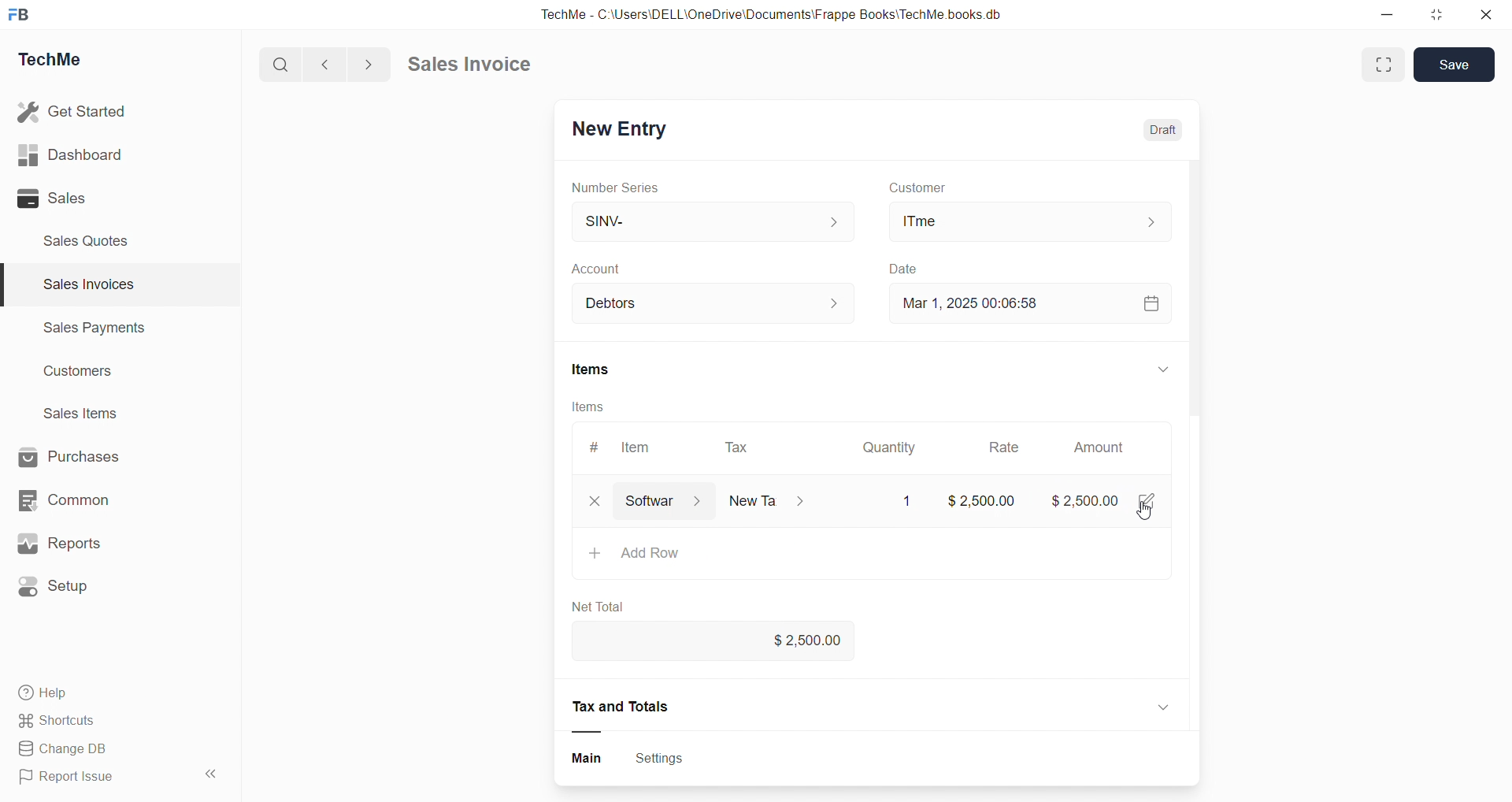 This screenshot has width=1512, height=802. Describe the element at coordinates (87, 330) in the screenshot. I see `Sales Payments` at that location.